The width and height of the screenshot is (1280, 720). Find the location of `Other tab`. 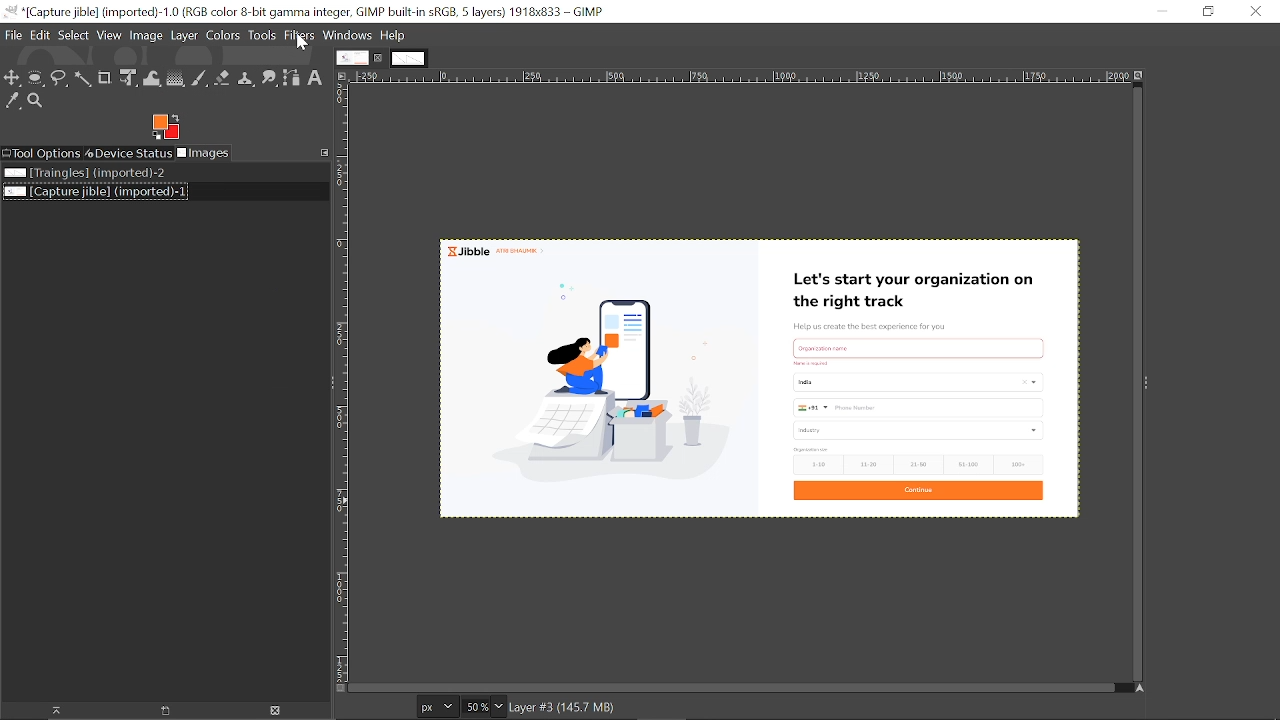

Other tab is located at coordinates (410, 59).